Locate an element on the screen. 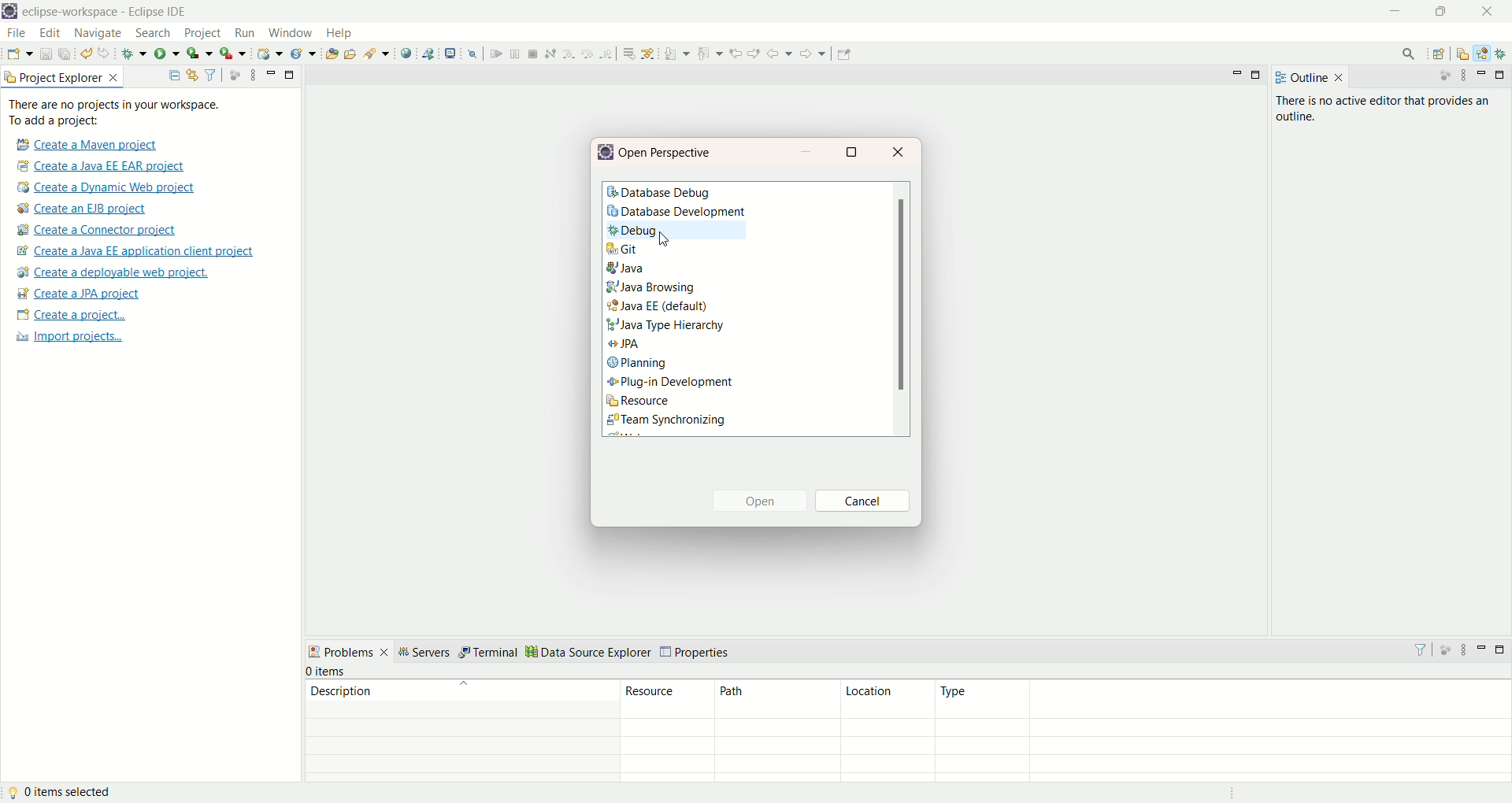 The height and width of the screenshot is (803, 1512). collapse all is located at coordinates (172, 75).